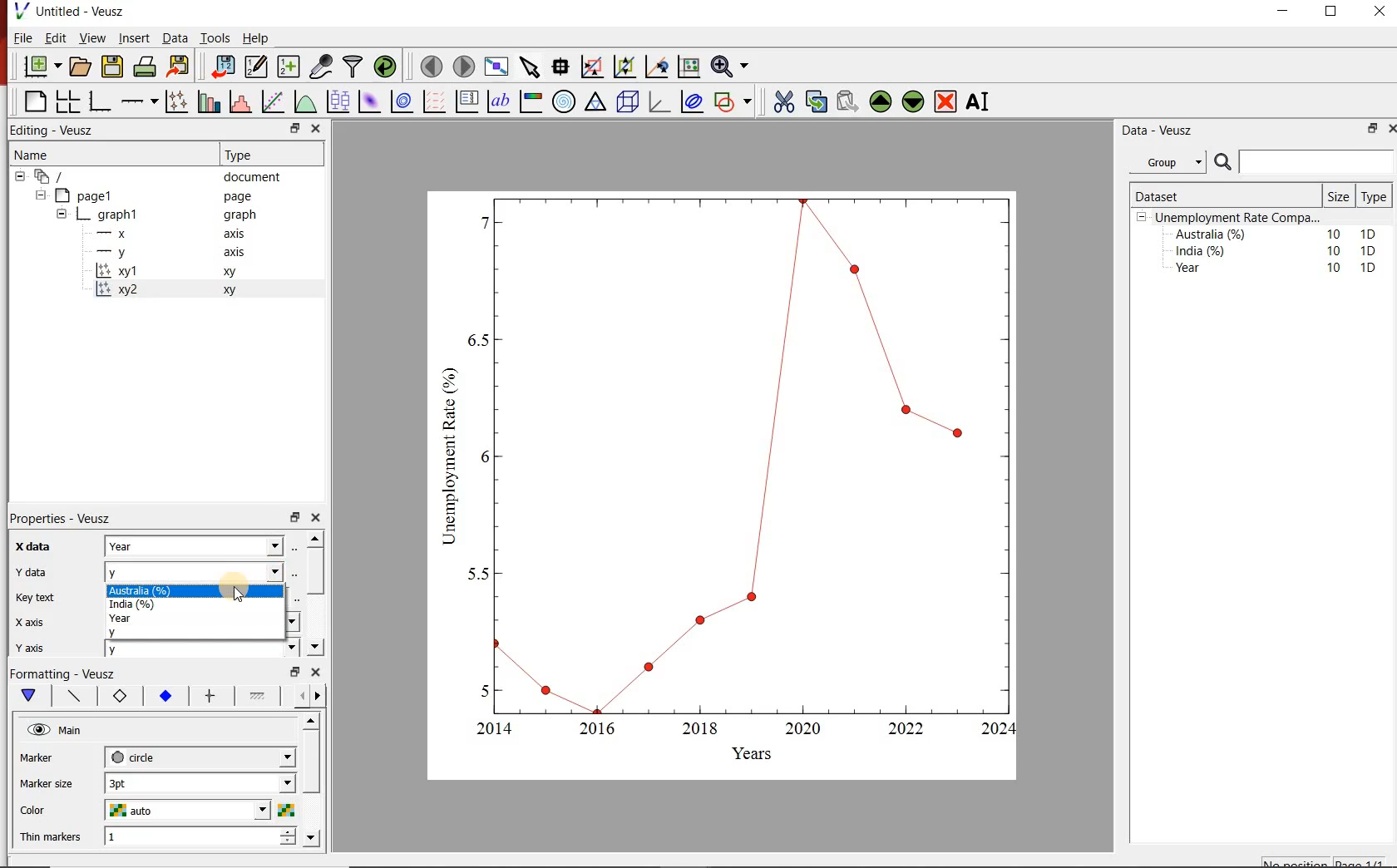 This screenshot has width=1397, height=868. What do you see at coordinates (200, 570) in the screenshot?
I see `y` at bounding box center [200, 570].